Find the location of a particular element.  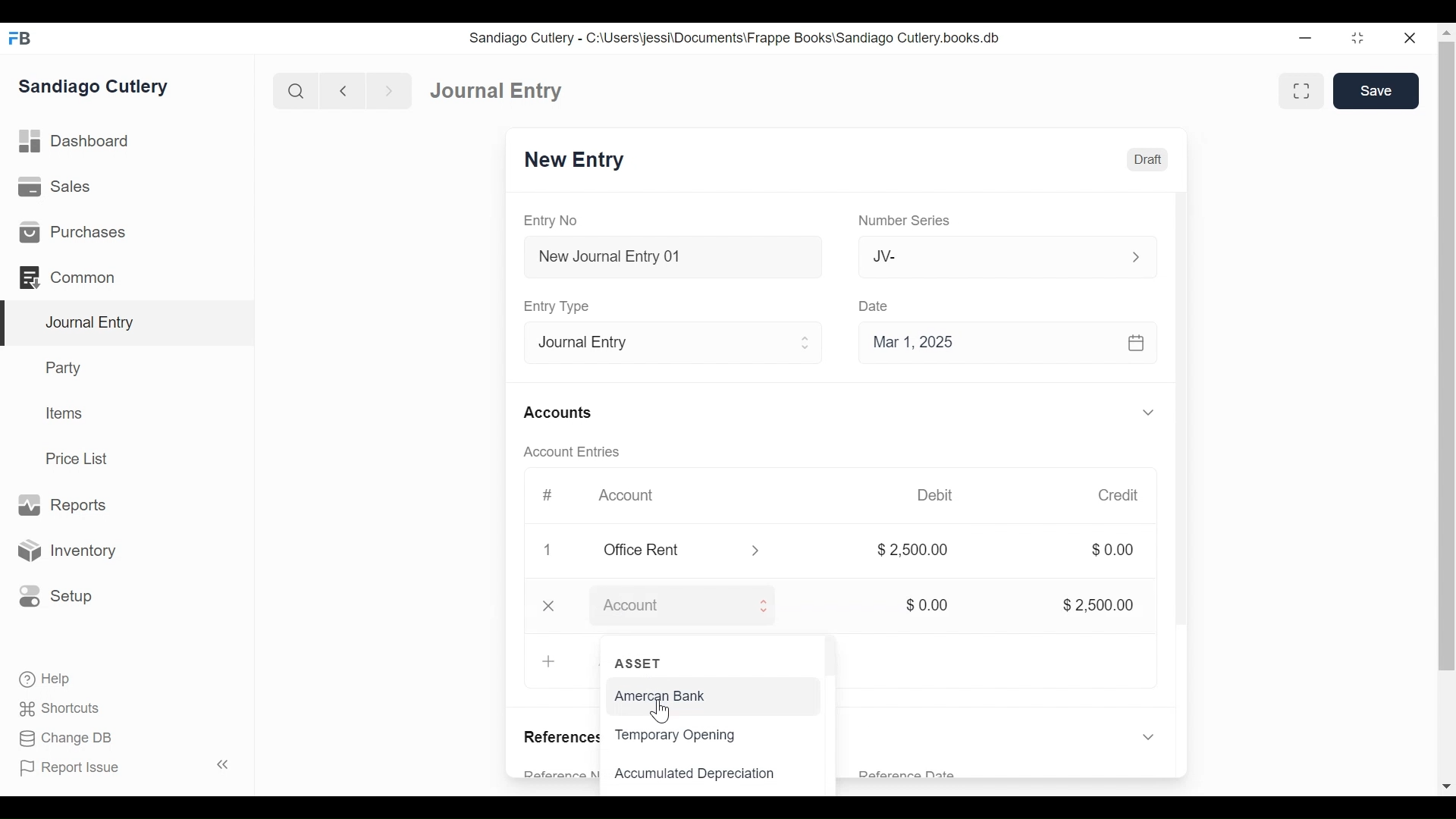

maximize is located at coordinates (1356, 37).